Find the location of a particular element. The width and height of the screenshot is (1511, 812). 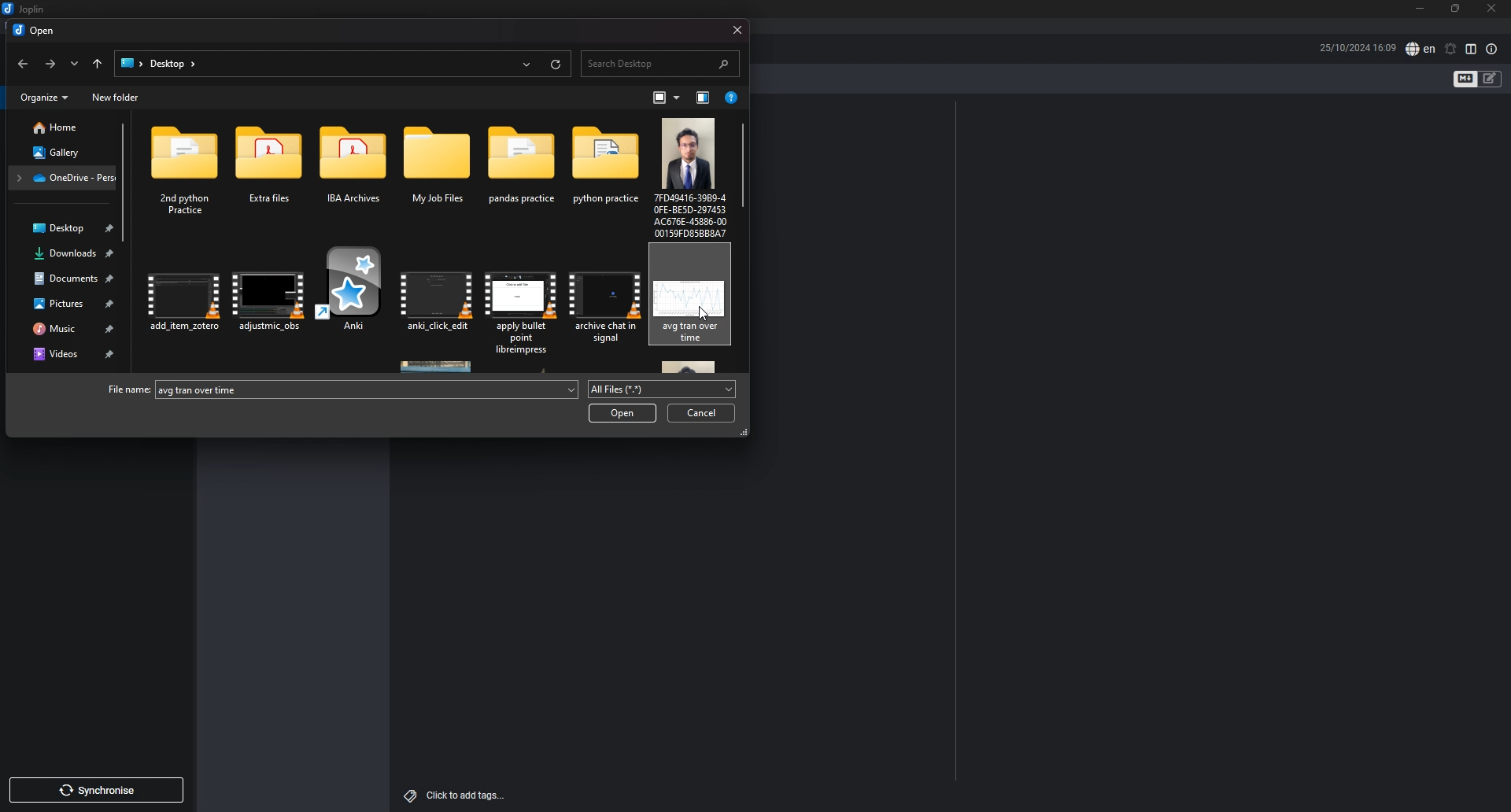

2nd Python Practice is located at coordinates (187, 175).